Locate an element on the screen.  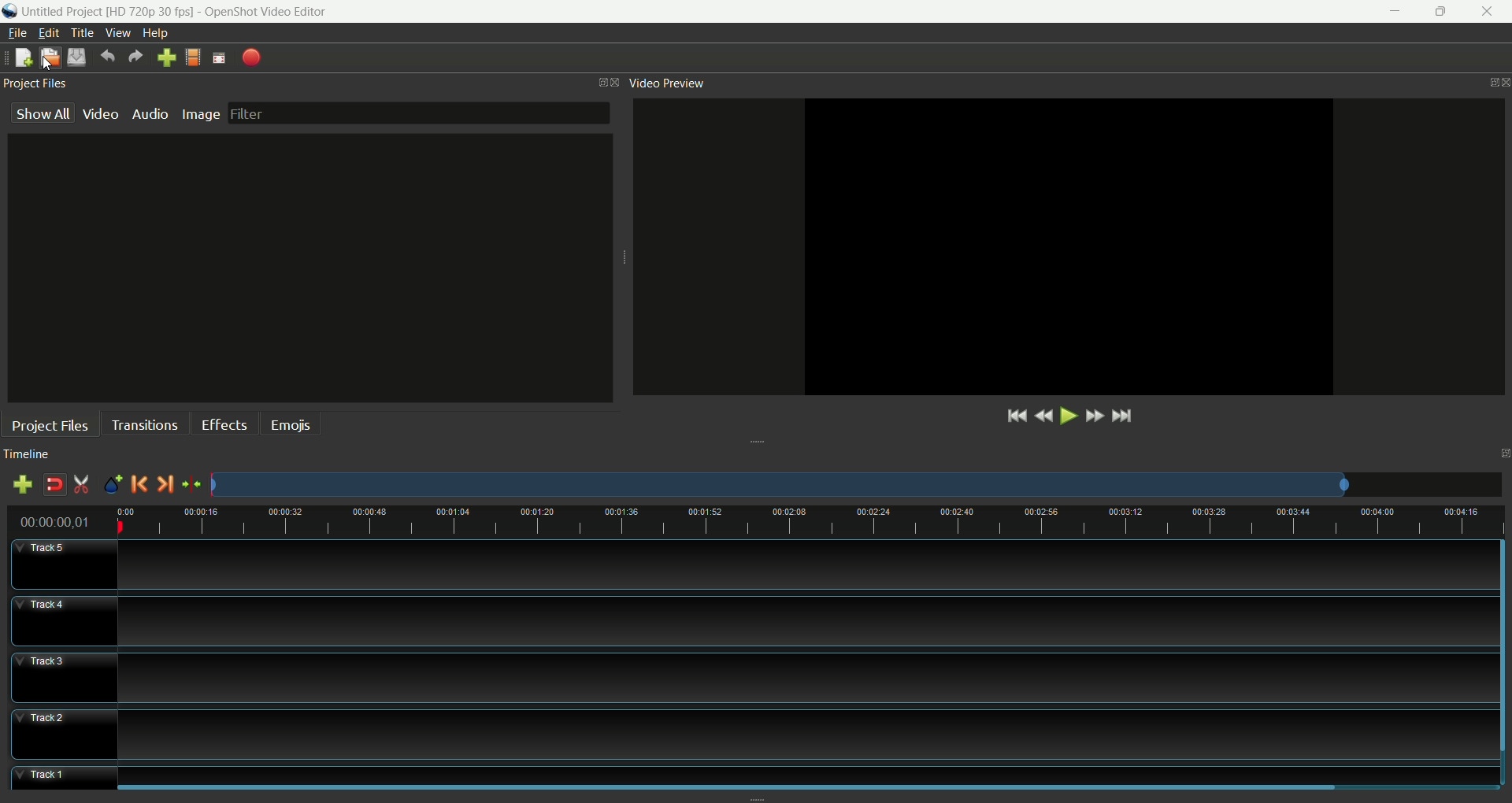
cursor is located at coordinates (47, 65).